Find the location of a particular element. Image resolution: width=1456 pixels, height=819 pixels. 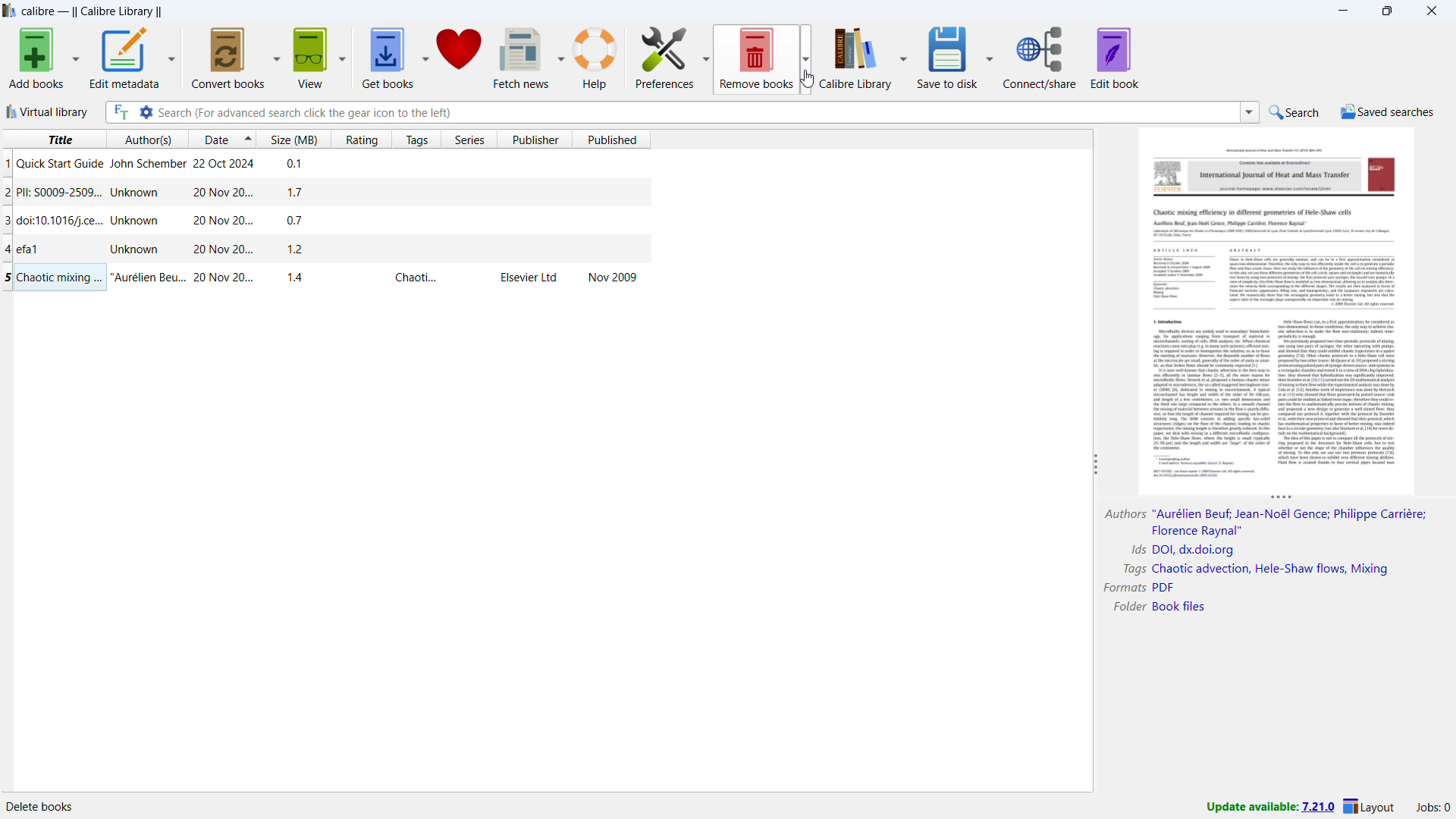

get books is located at coordinates (388, 58).